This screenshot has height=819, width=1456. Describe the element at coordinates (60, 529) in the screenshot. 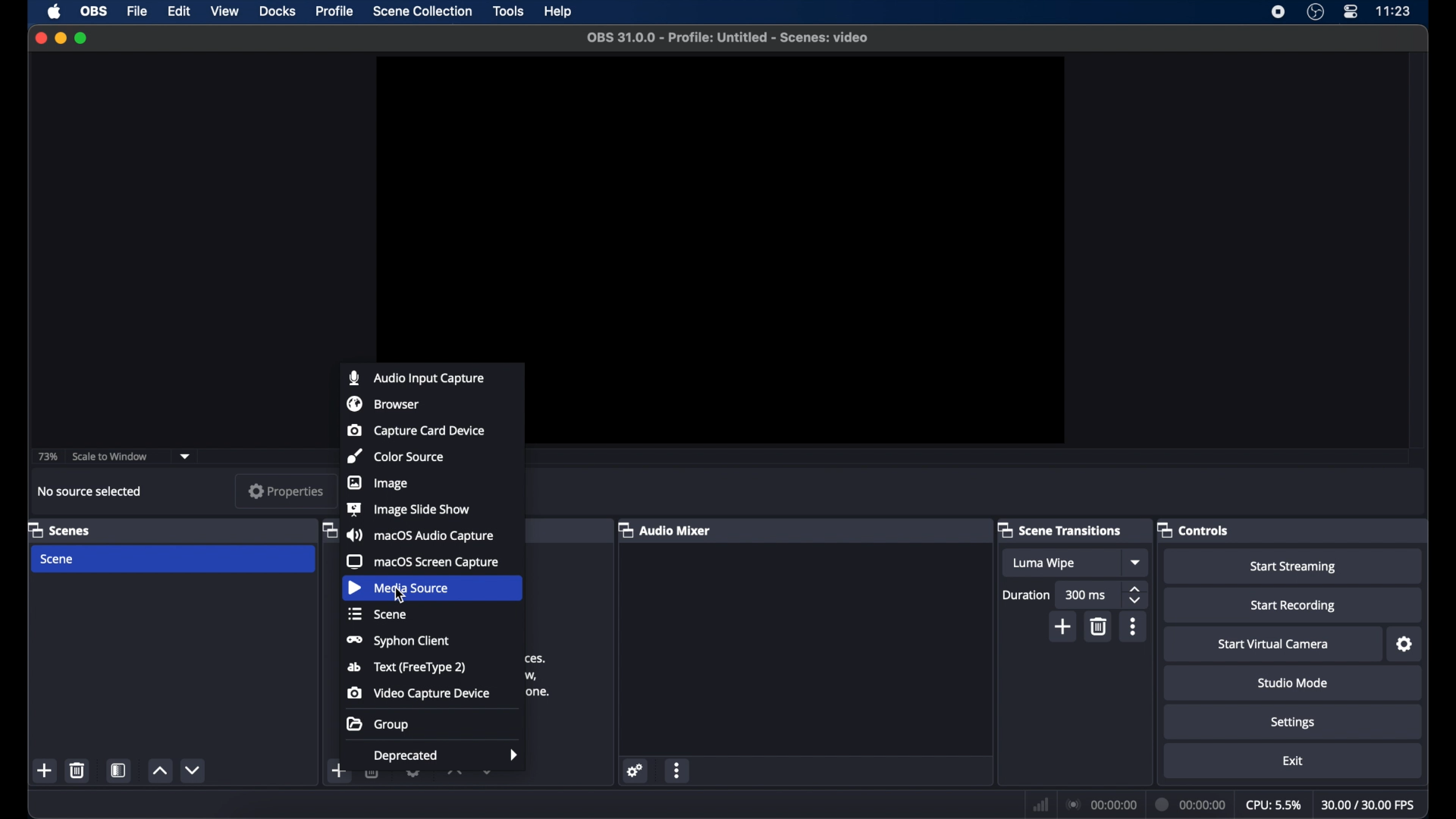

I see `scenes` at that location.